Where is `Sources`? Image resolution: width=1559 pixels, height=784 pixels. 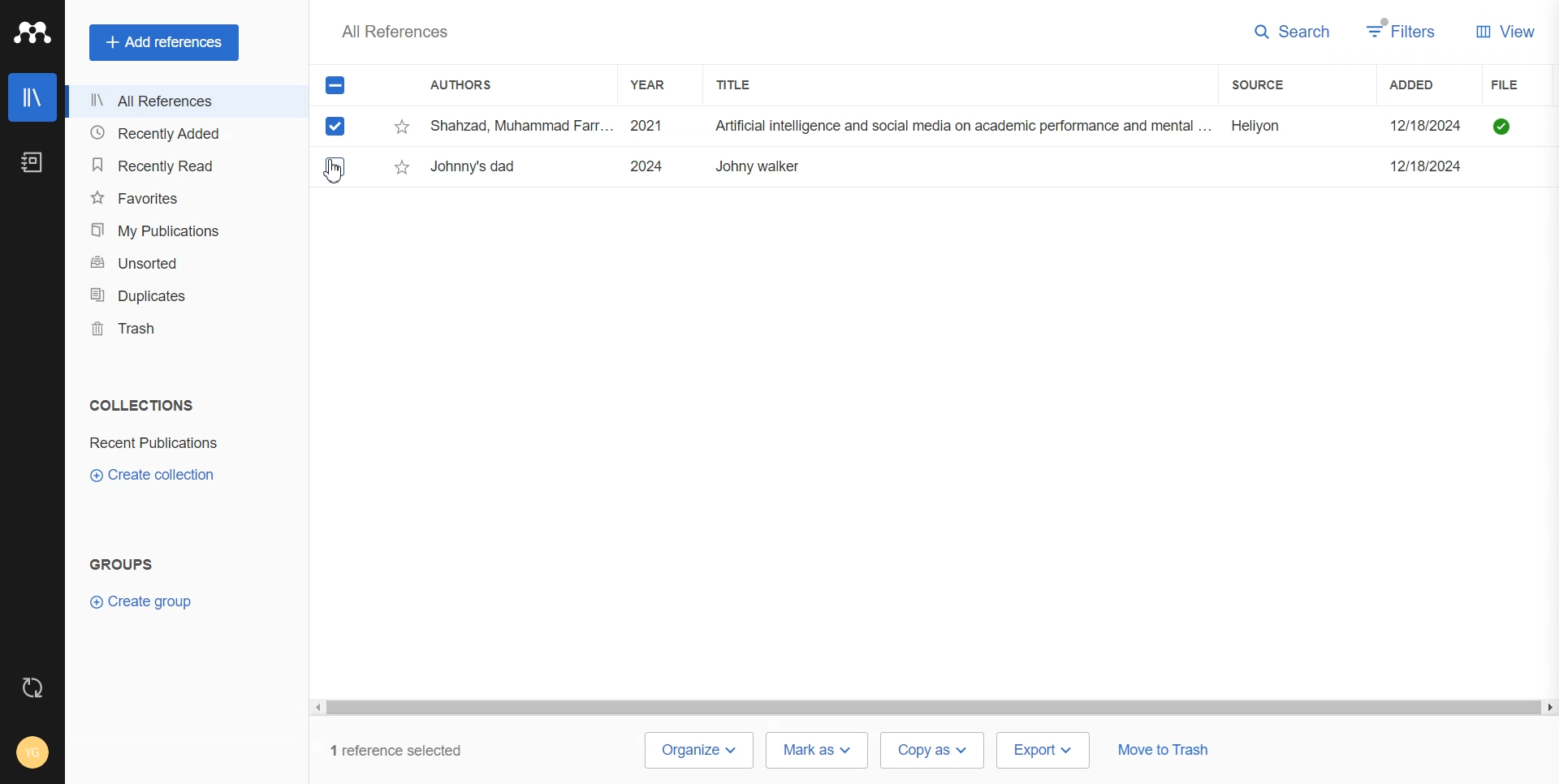 Sources is located at coordinates (1276, 84).